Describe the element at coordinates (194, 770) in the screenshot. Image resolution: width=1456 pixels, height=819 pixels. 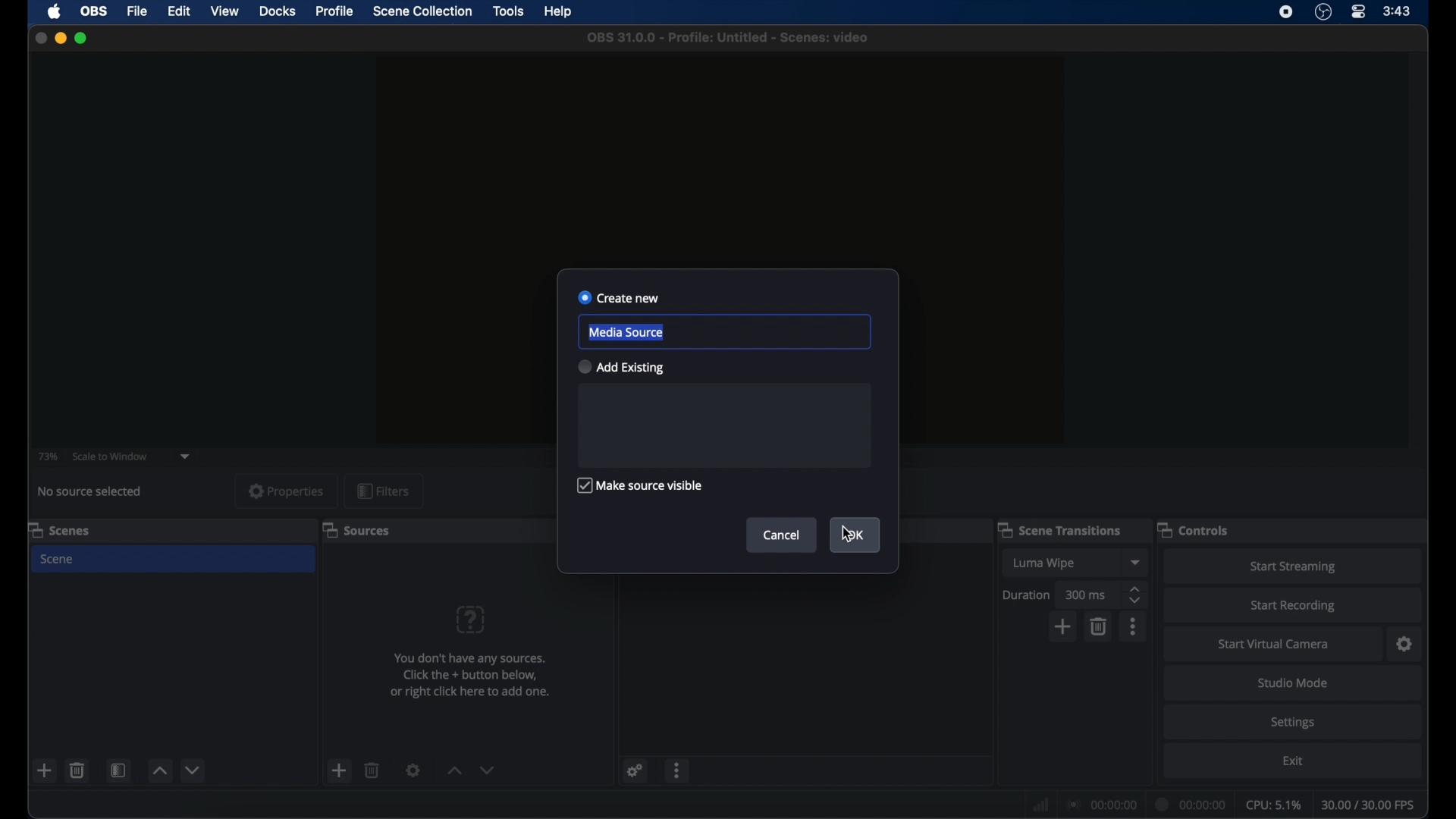
I see `decrement` at that location.